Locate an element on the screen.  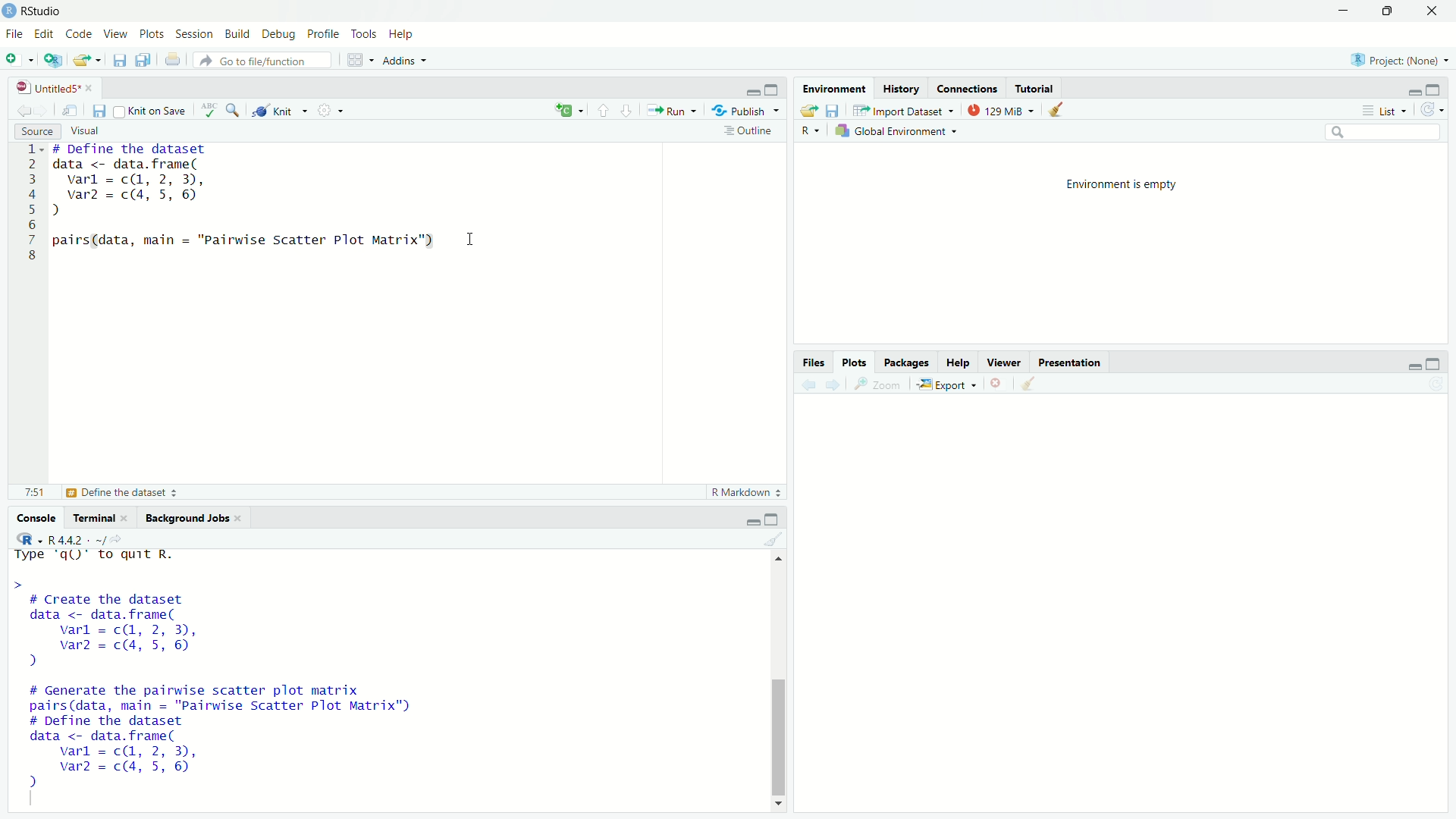
Go forward to the next source location (Ctrl + F10) is located at coordinates (45, 109).